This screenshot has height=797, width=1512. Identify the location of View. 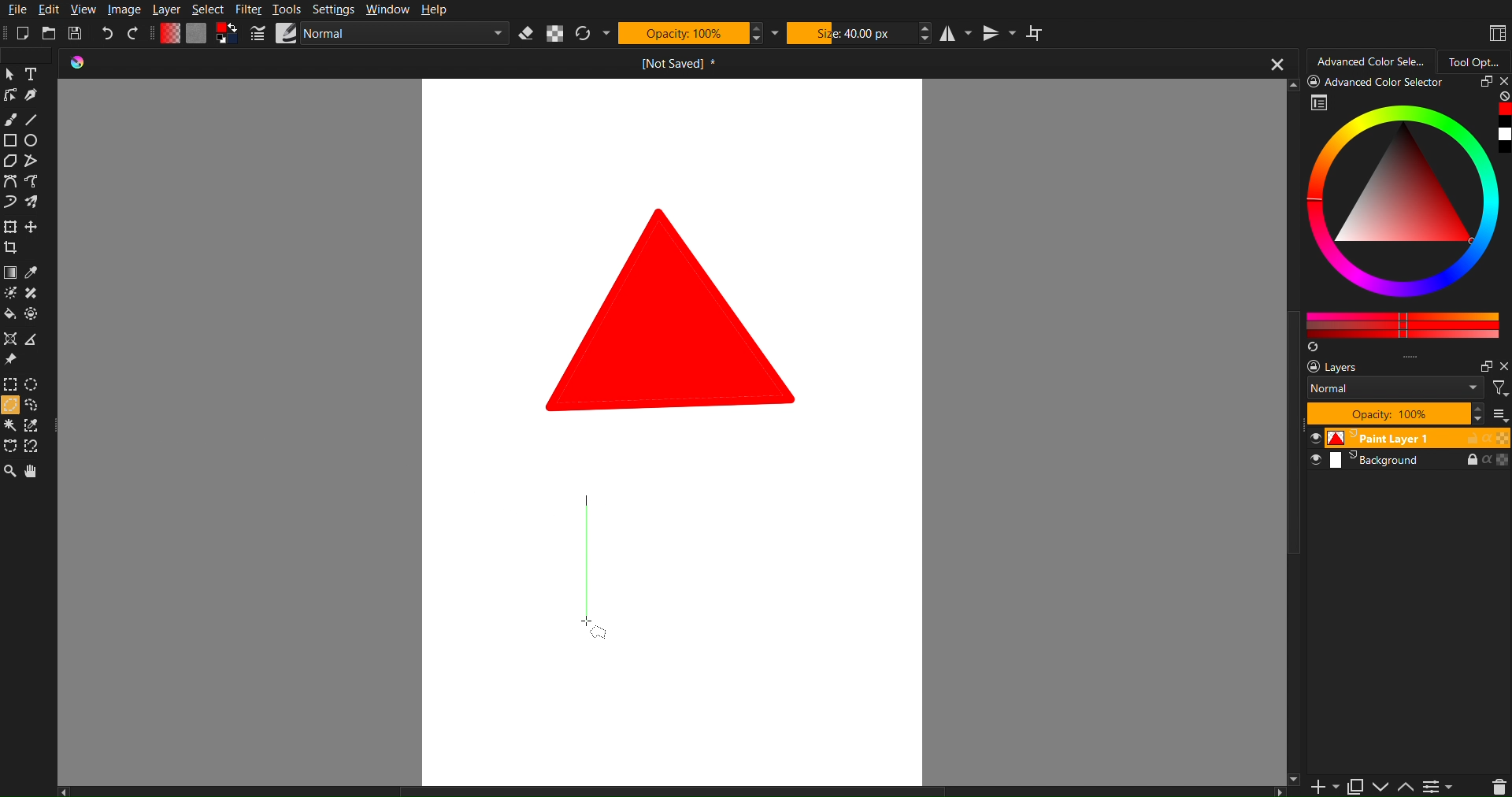
(83, 9).